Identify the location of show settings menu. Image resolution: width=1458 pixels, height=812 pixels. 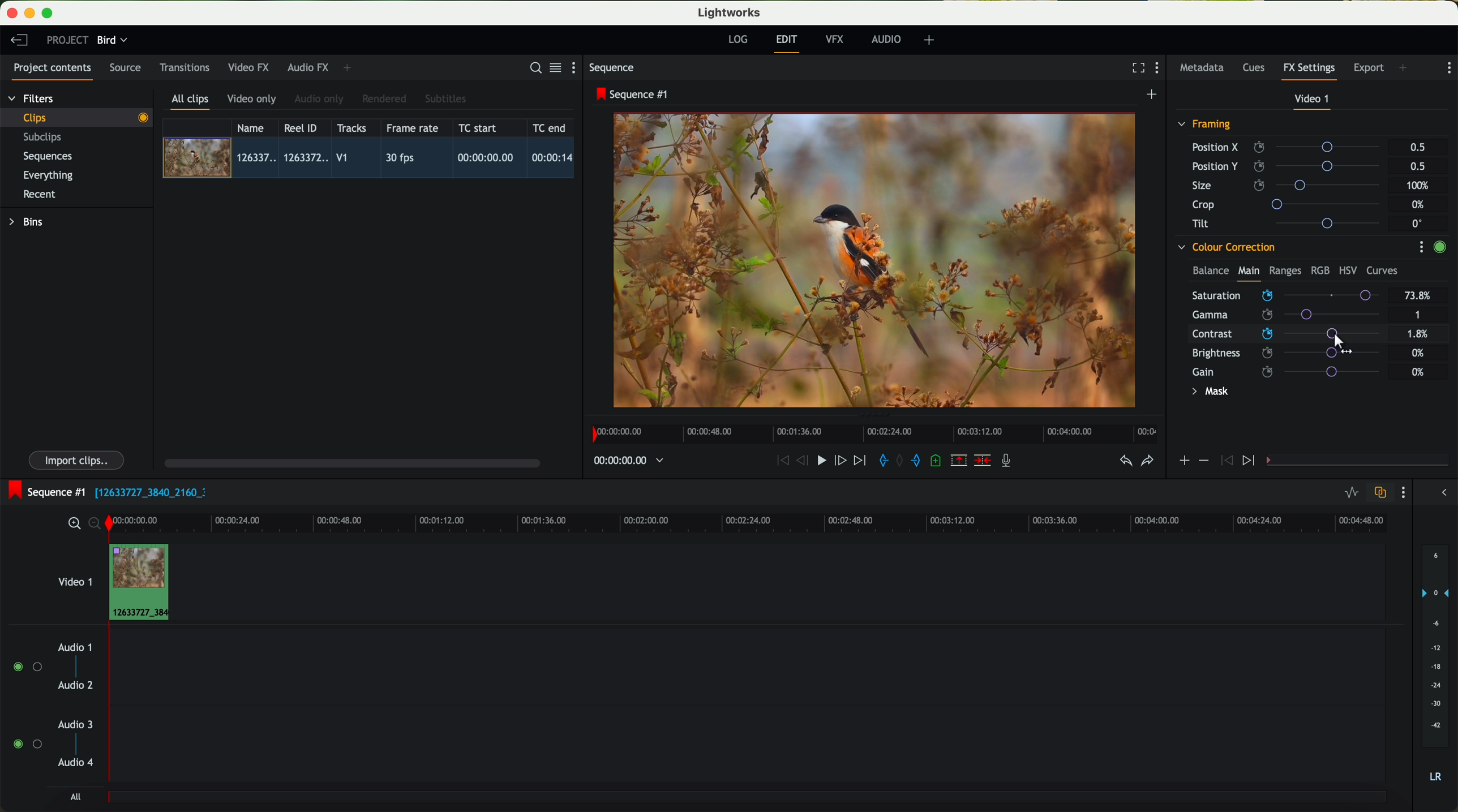
(1421, 247).